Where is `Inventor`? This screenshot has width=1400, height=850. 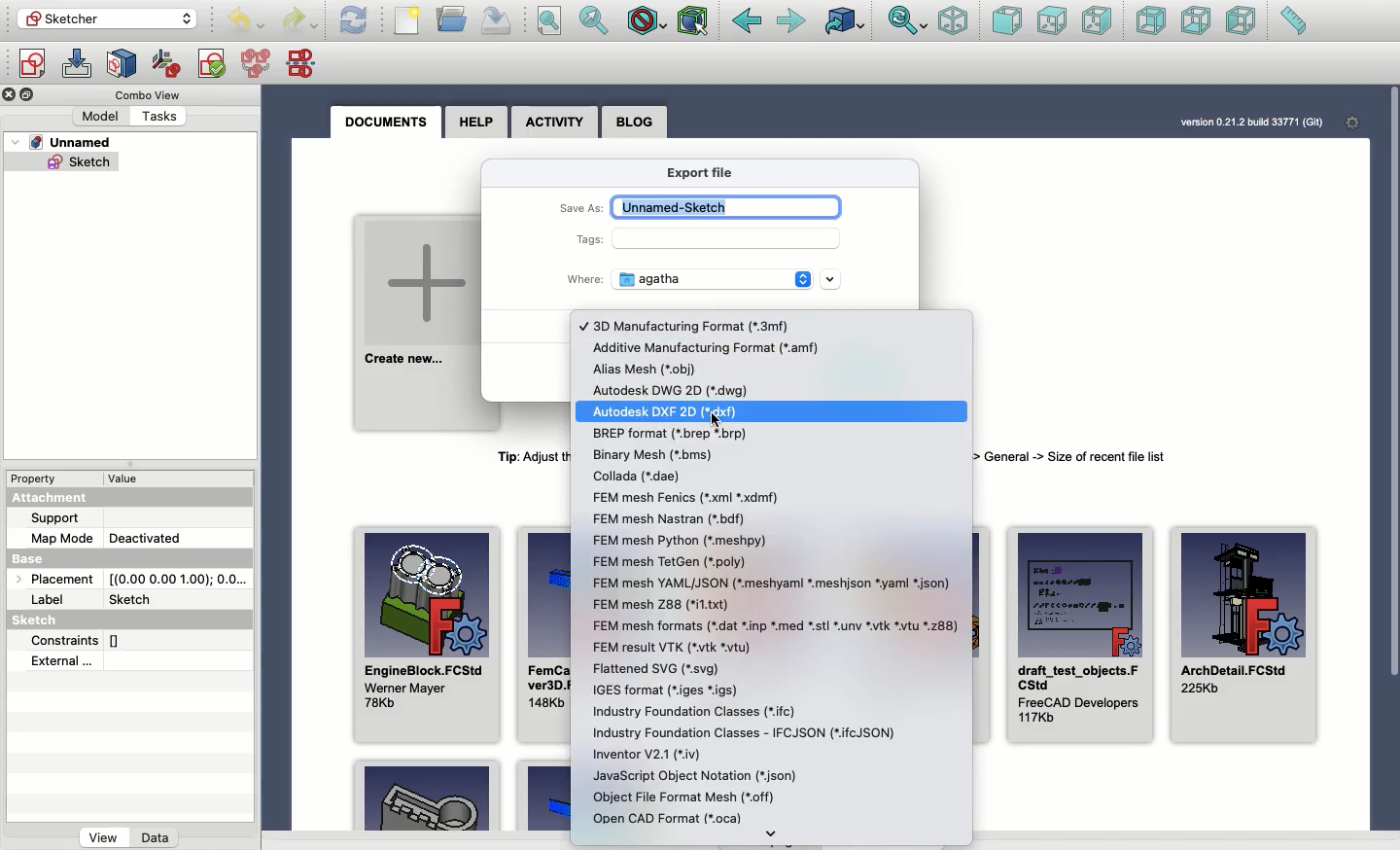 Inventor is located at coordinates (648, 754).